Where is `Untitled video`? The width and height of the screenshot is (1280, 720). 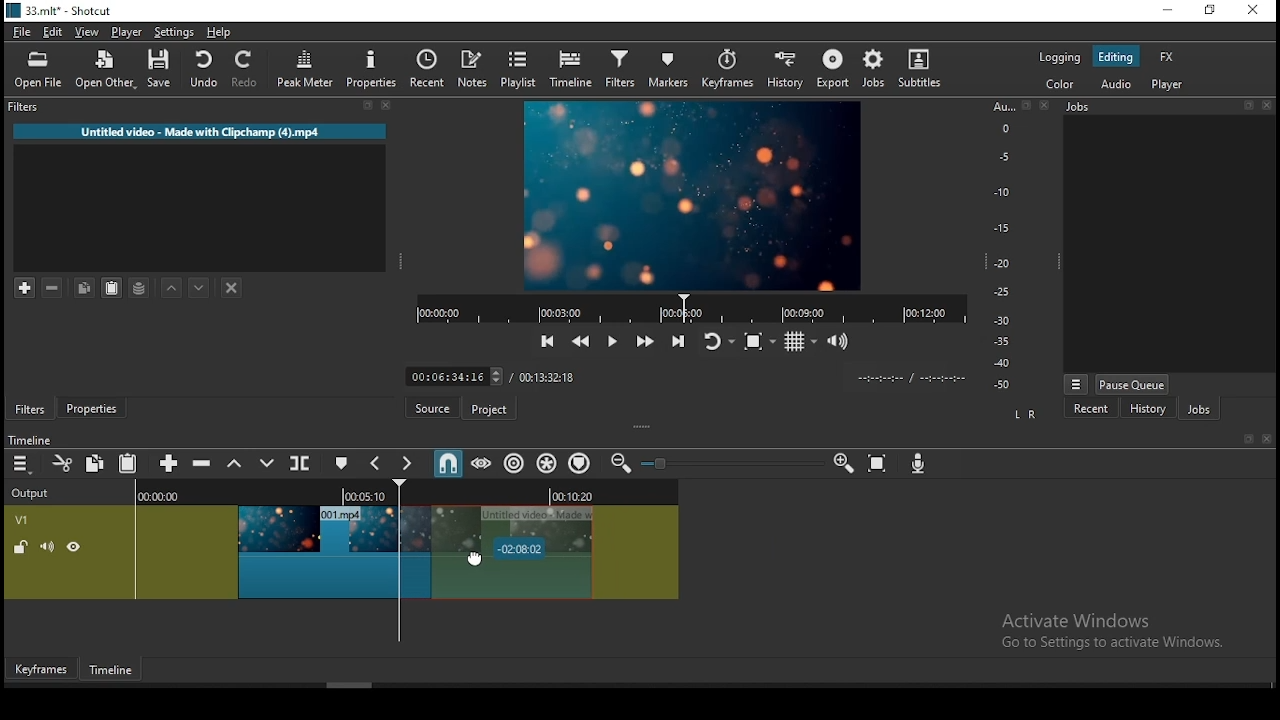 Untitled video is located at coordinates (195, 135).